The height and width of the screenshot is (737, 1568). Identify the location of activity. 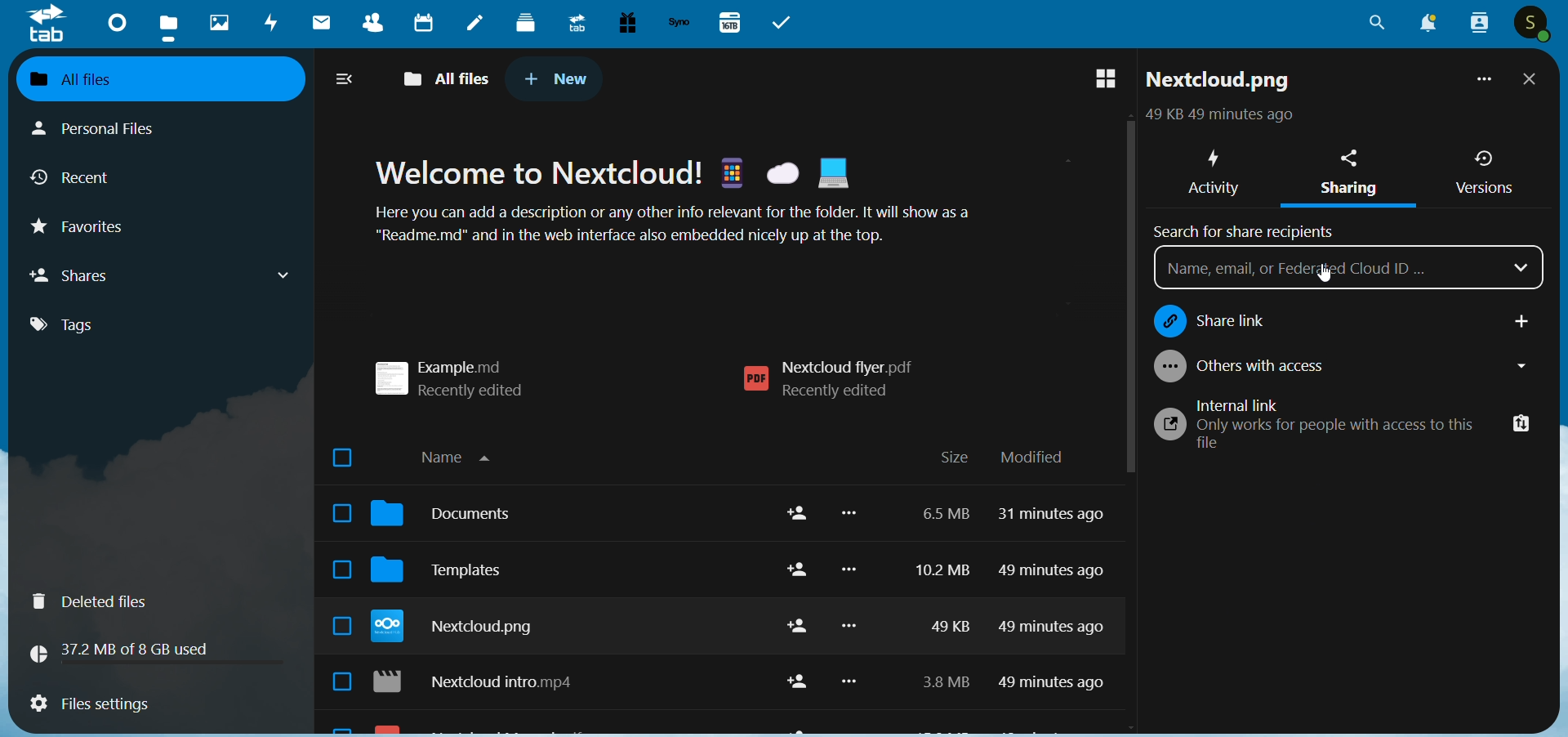
(1211, 168).